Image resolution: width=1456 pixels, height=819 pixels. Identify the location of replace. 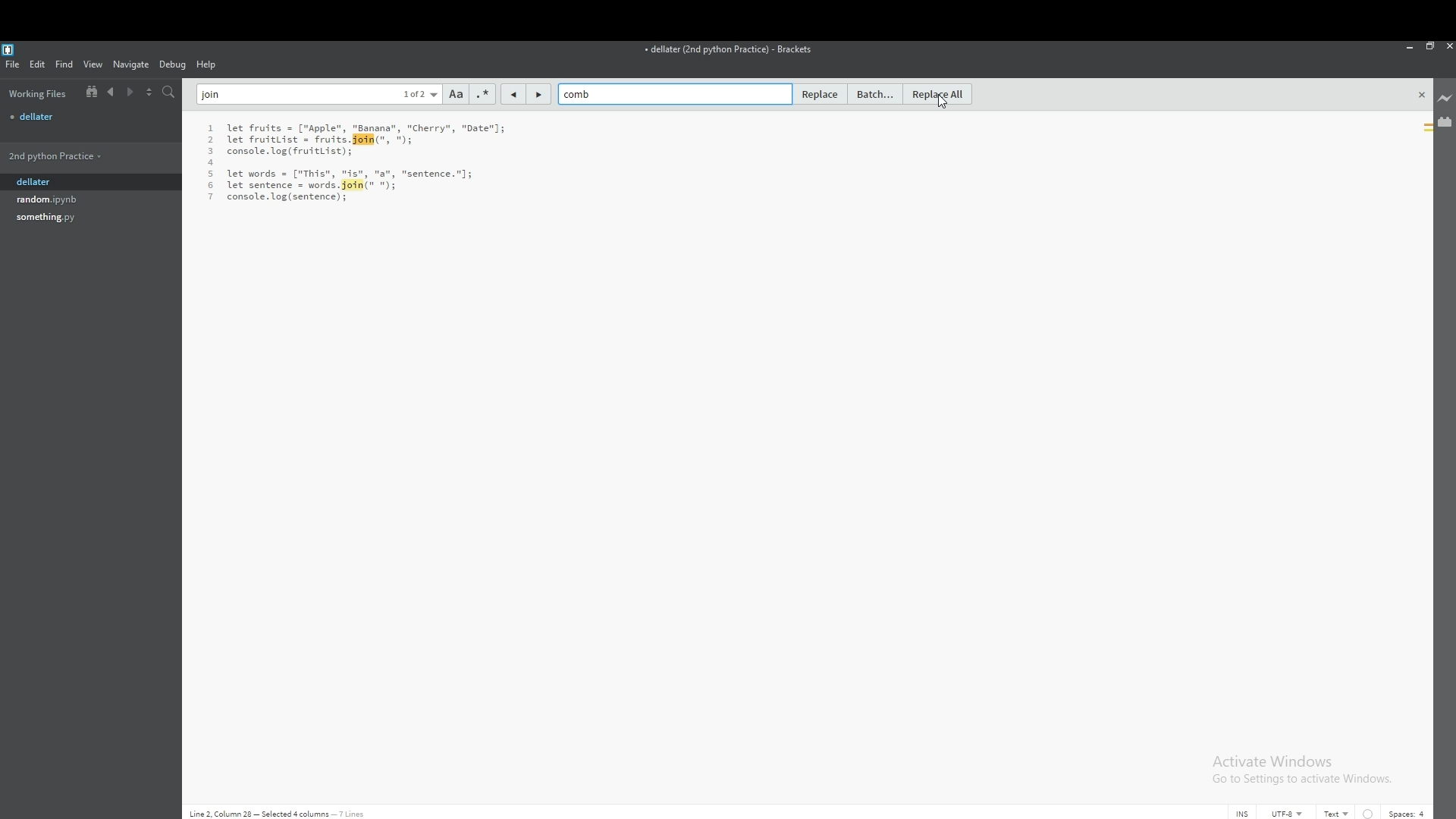
(819, 94).